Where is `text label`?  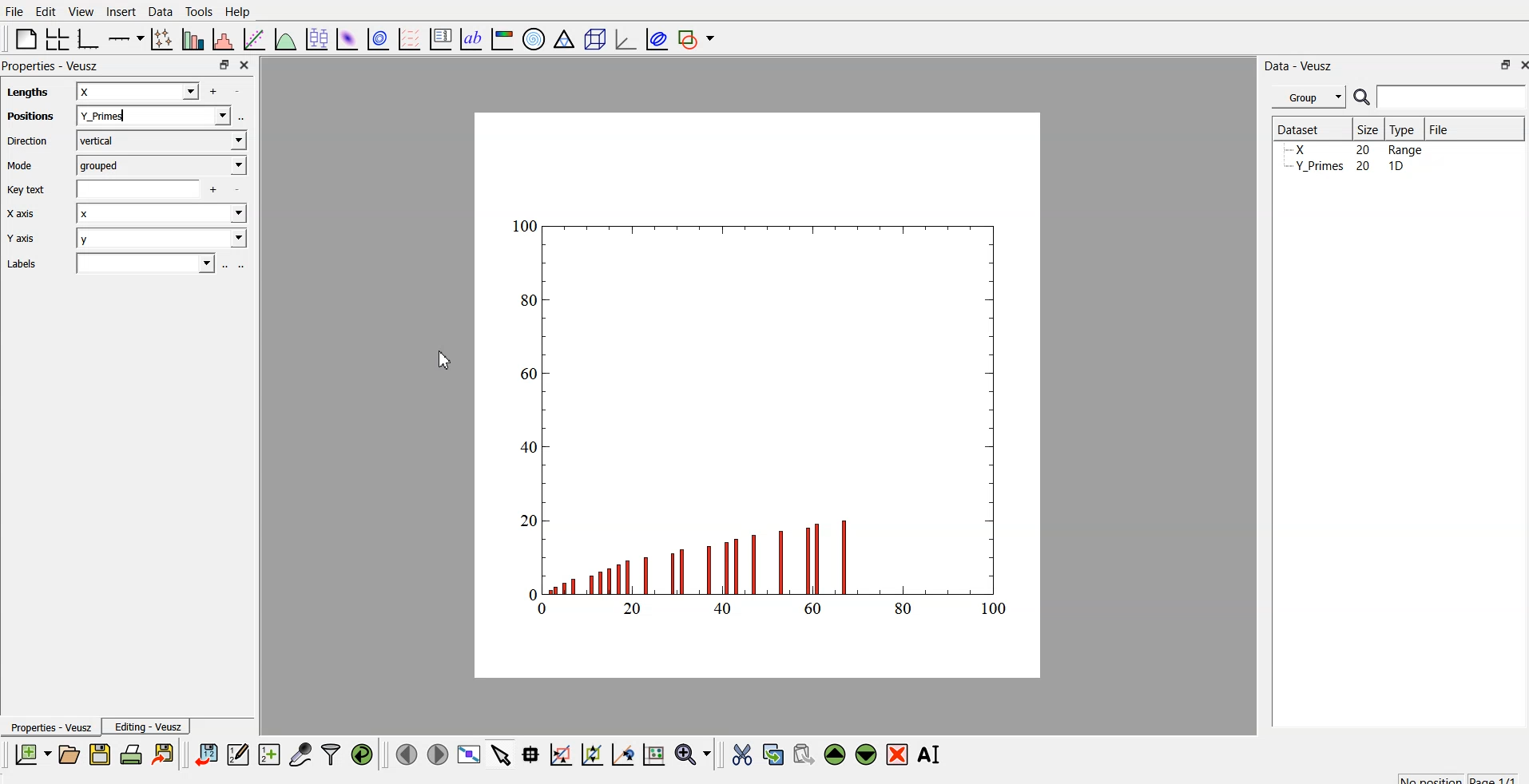
text label is located at coordinates (469, 39).